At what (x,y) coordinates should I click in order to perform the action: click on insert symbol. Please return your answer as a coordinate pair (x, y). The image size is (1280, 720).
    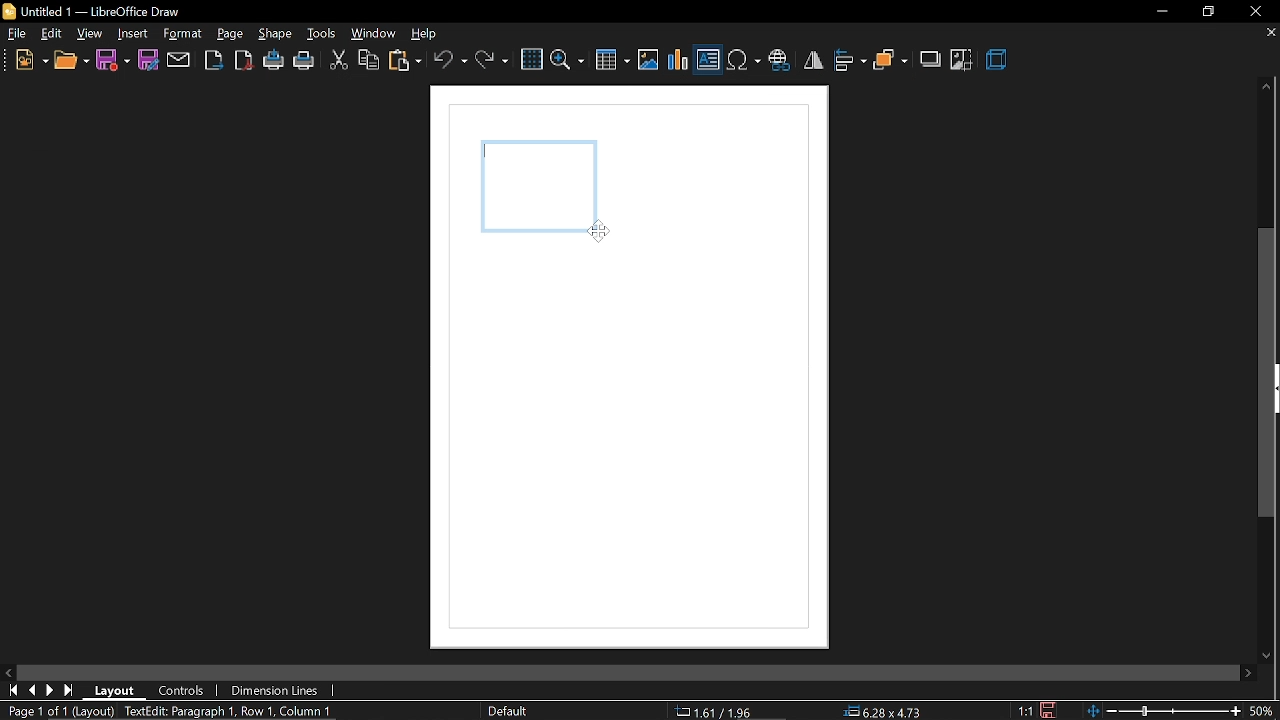
    Looking at the image, I should click on (743, 61).